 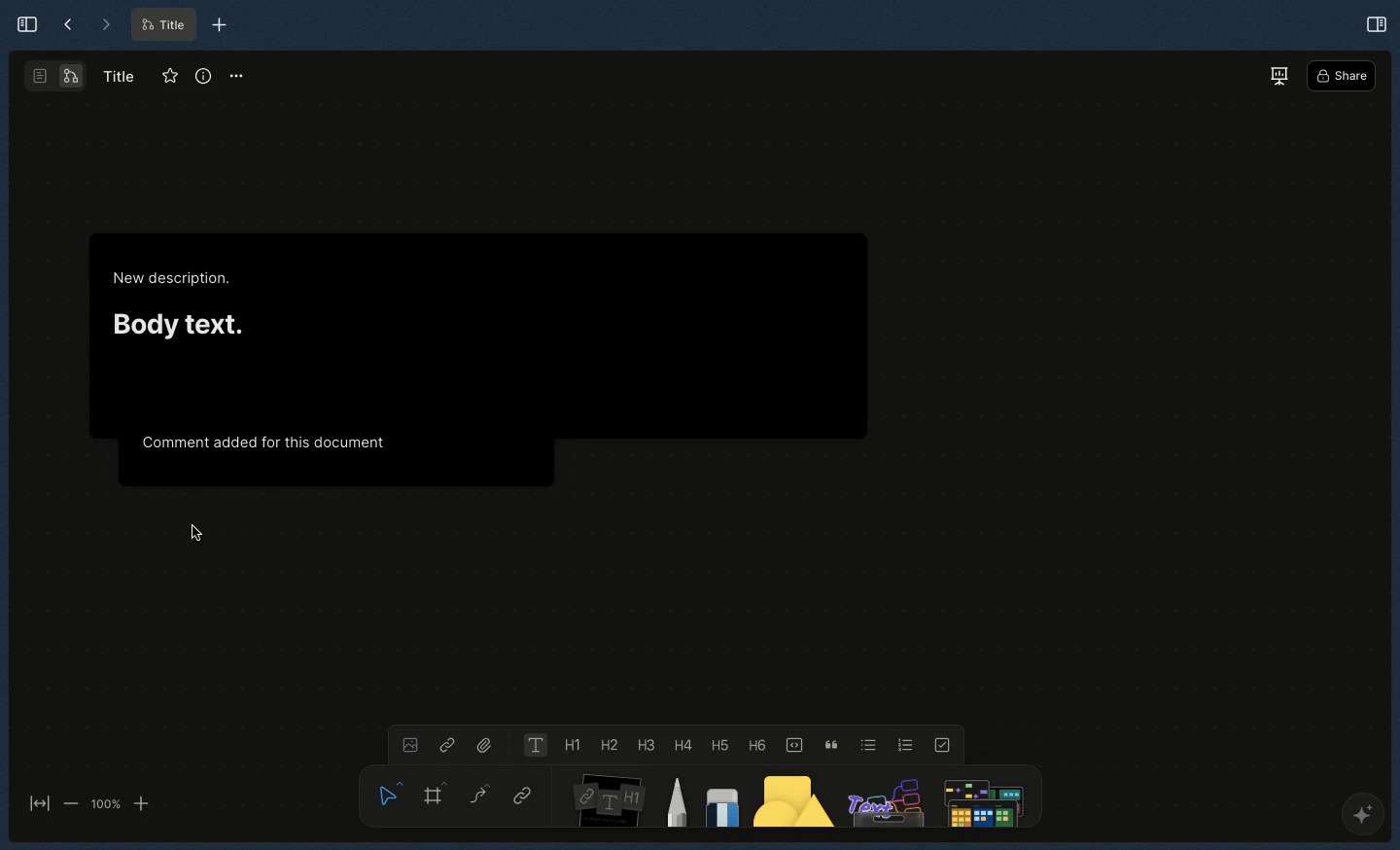 What do you see at coordinates (220, 25) in the screenshot?
I see `New tab` at bounding box center [220, 25].